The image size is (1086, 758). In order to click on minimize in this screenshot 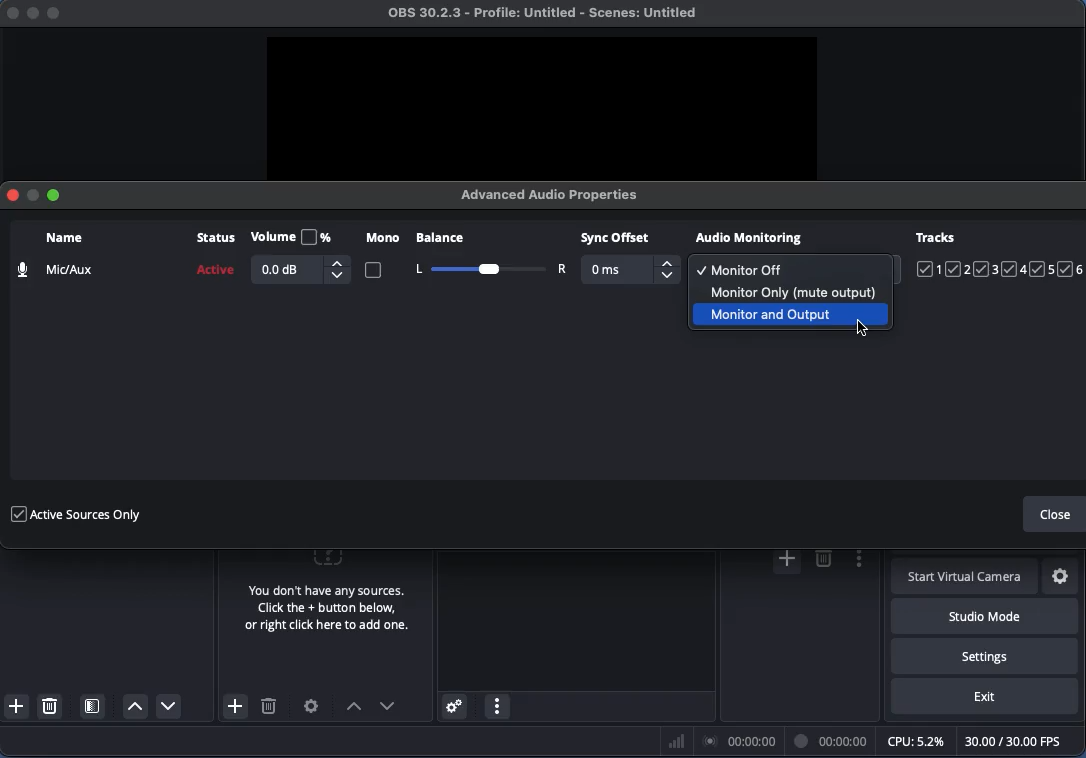, I will do `click(30, 16)`.